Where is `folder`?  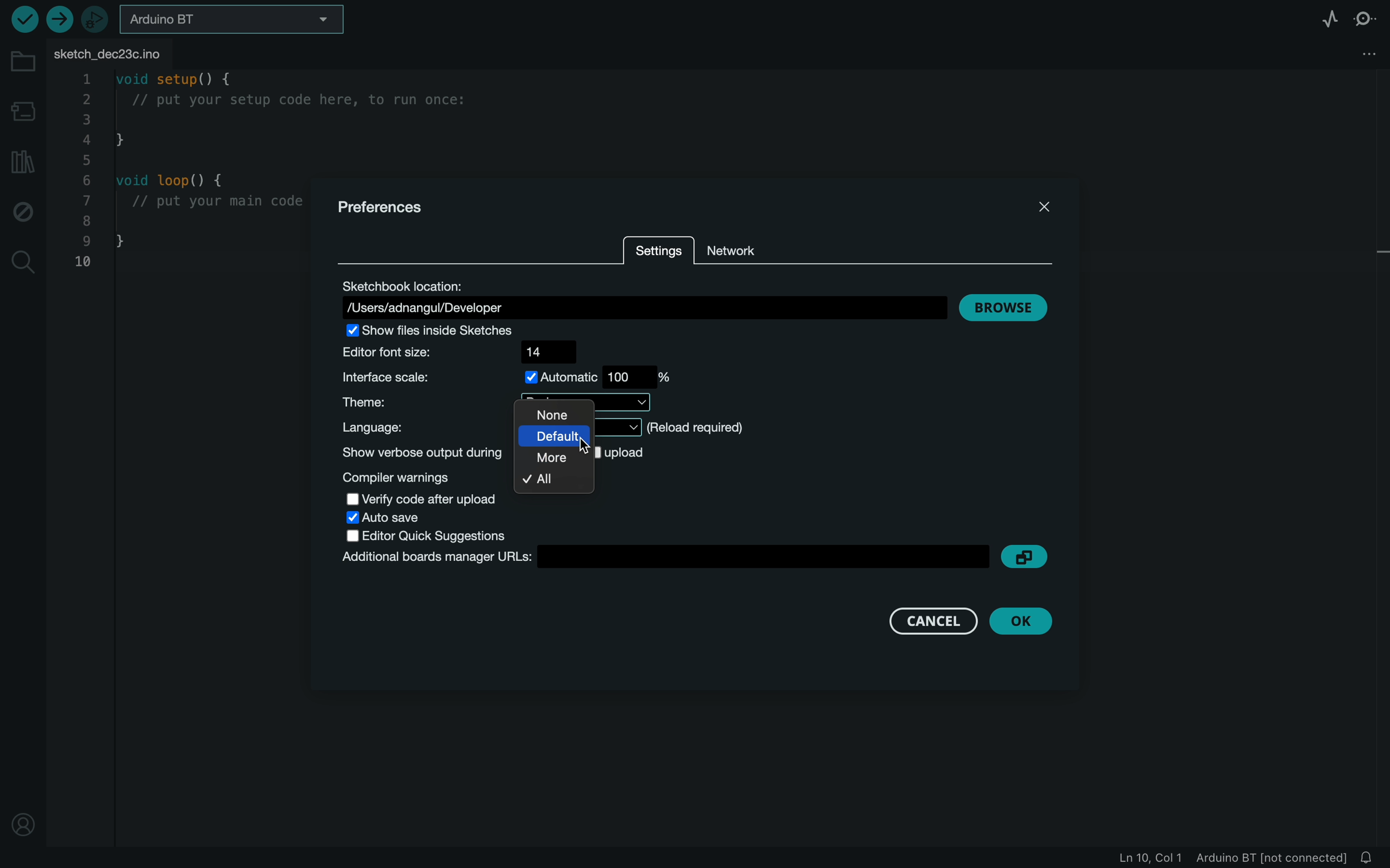 folder is located at coordinates (24, 63).